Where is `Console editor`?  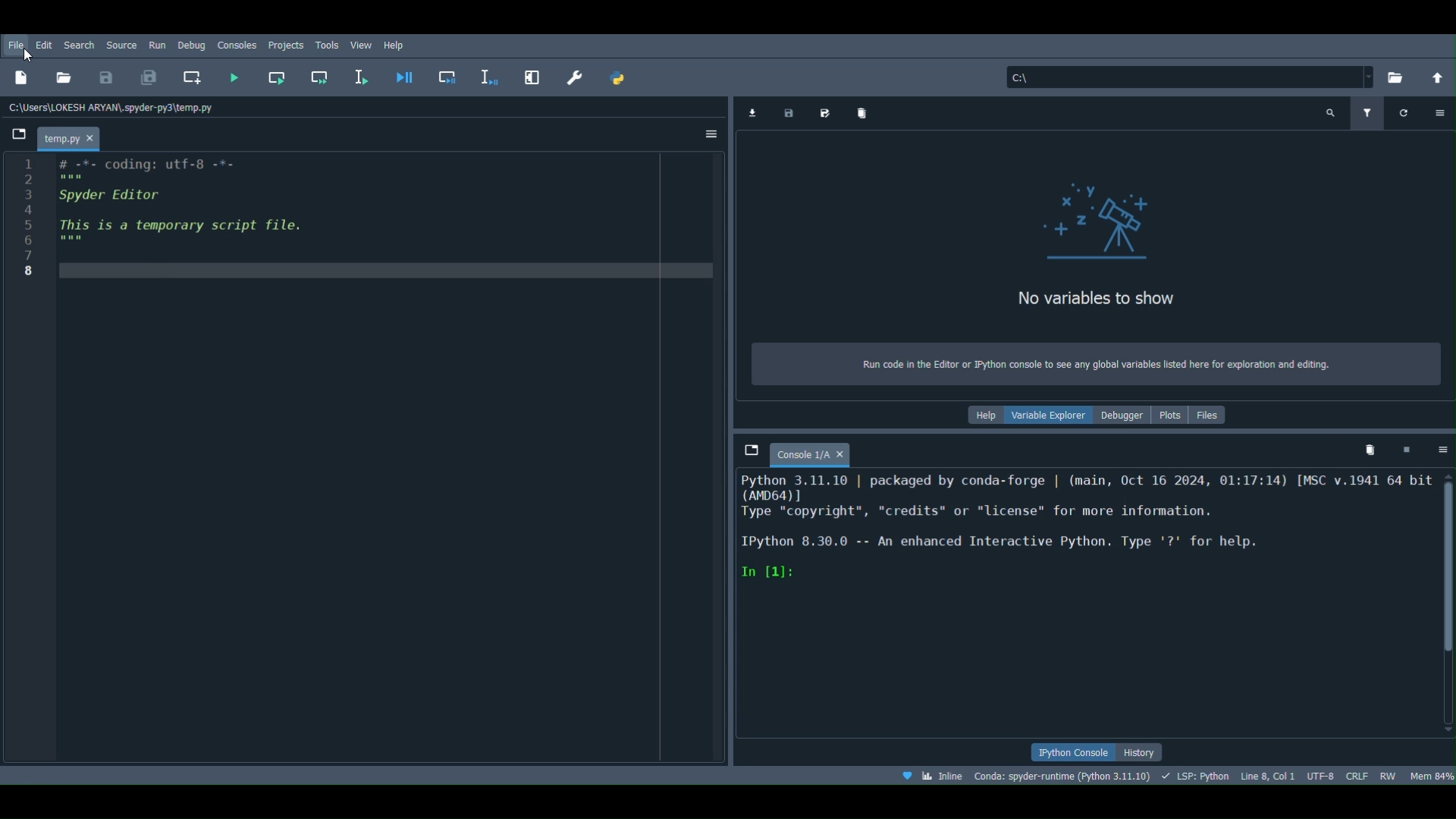
Console editor is located at coordinates (1084, 605).